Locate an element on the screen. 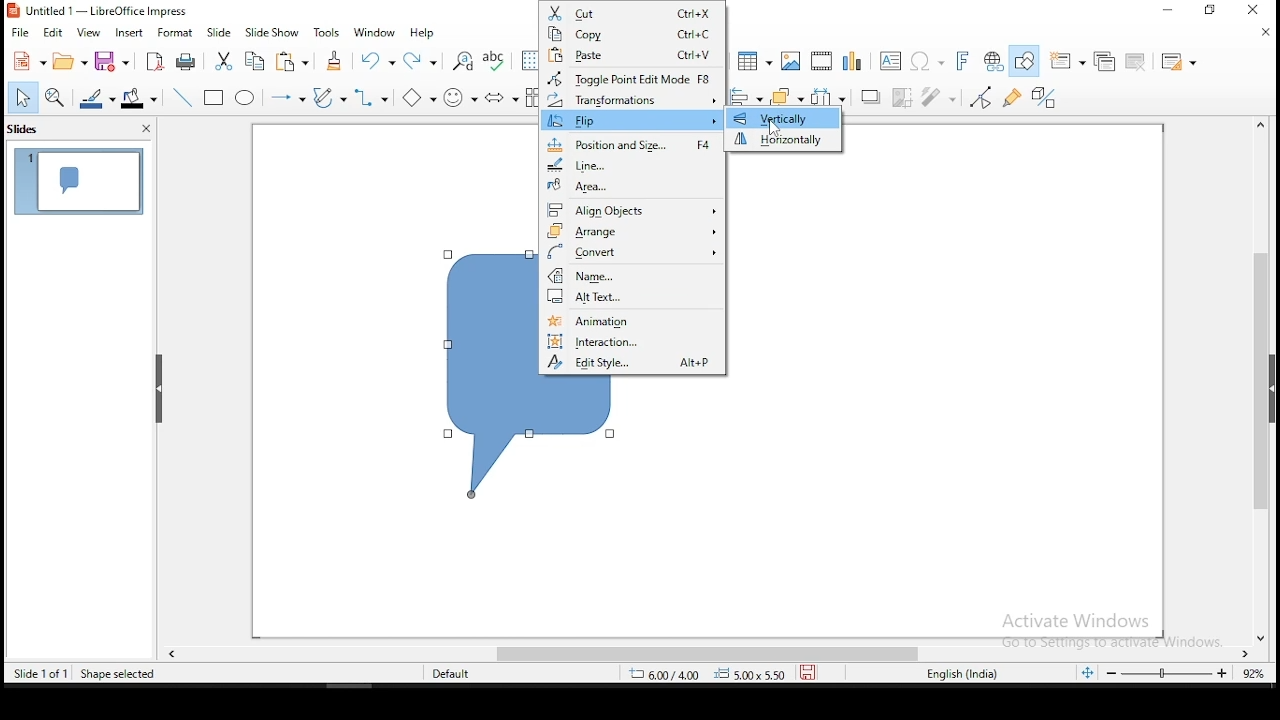 The width and height of the screenshot is (1280, 720). arrange is located at coordinates (632, 230).